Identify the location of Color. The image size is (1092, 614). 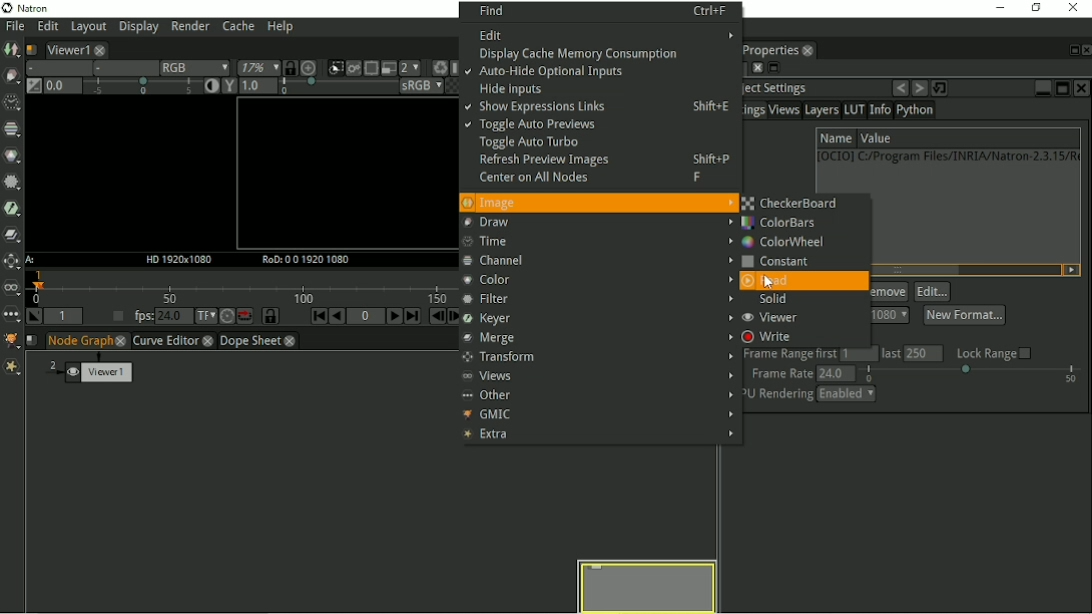
(13, 156).